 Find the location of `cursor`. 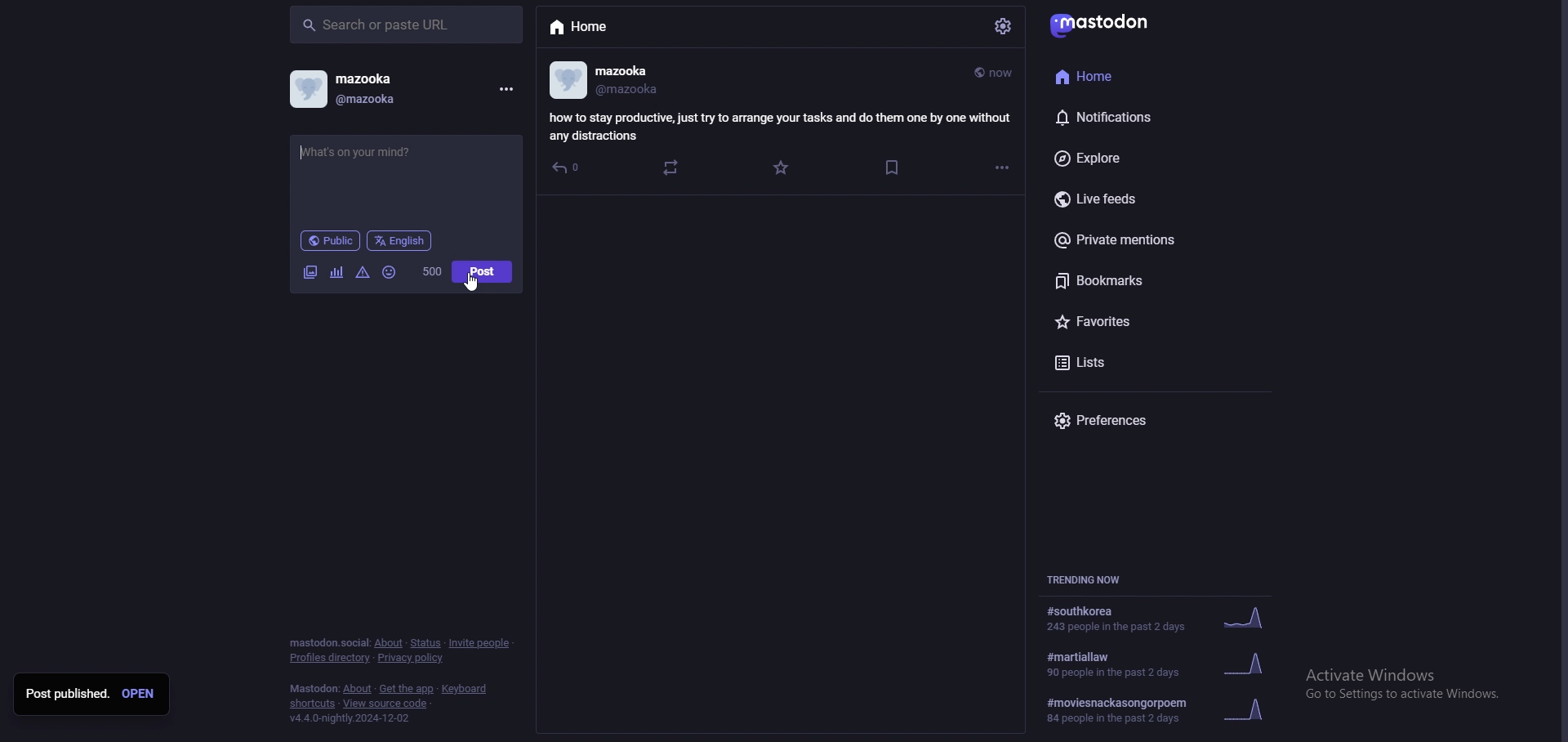

cursor is located at coordinates (471, 282).